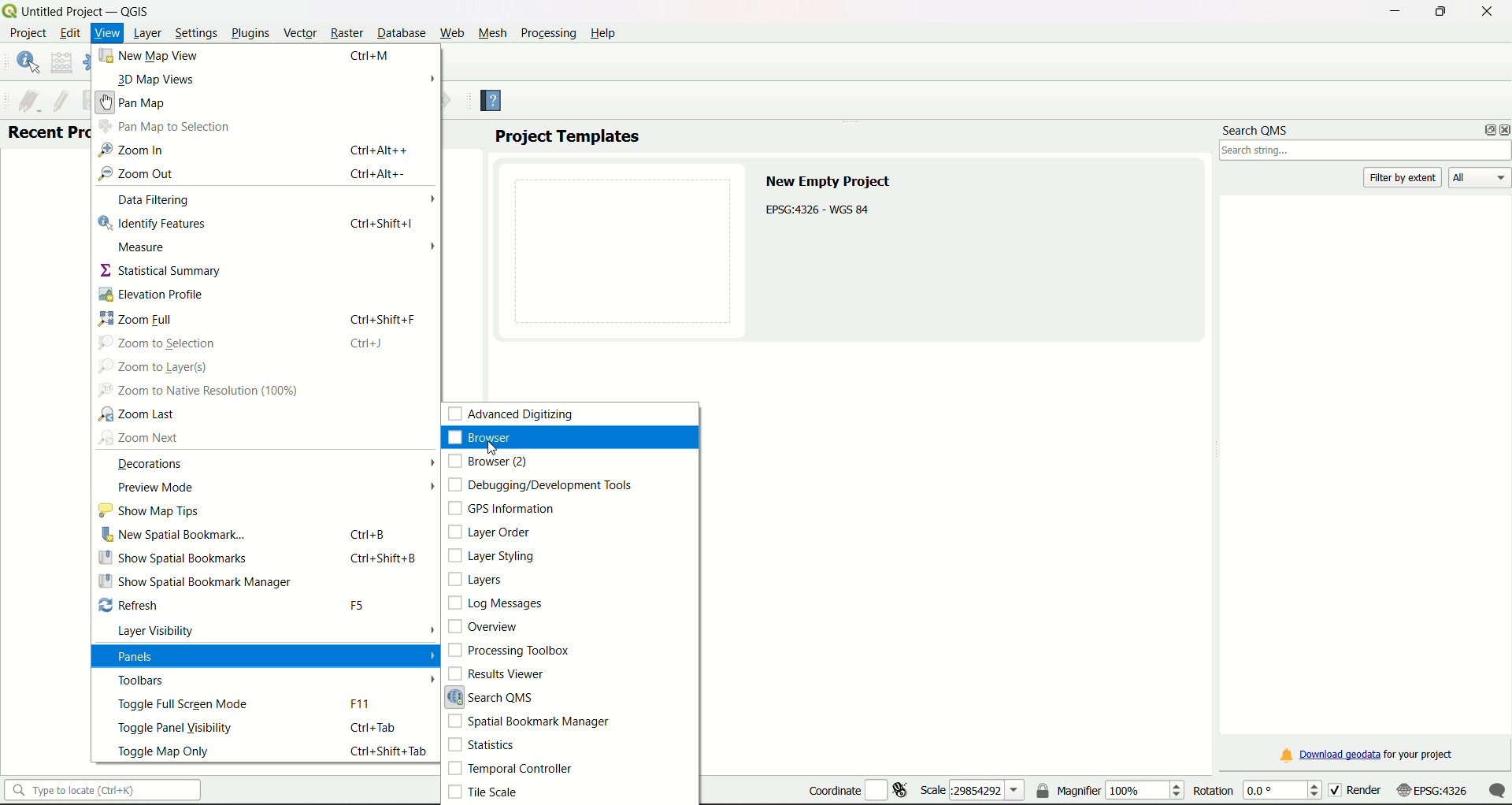  I want to click on Layer, so click(148, 35).